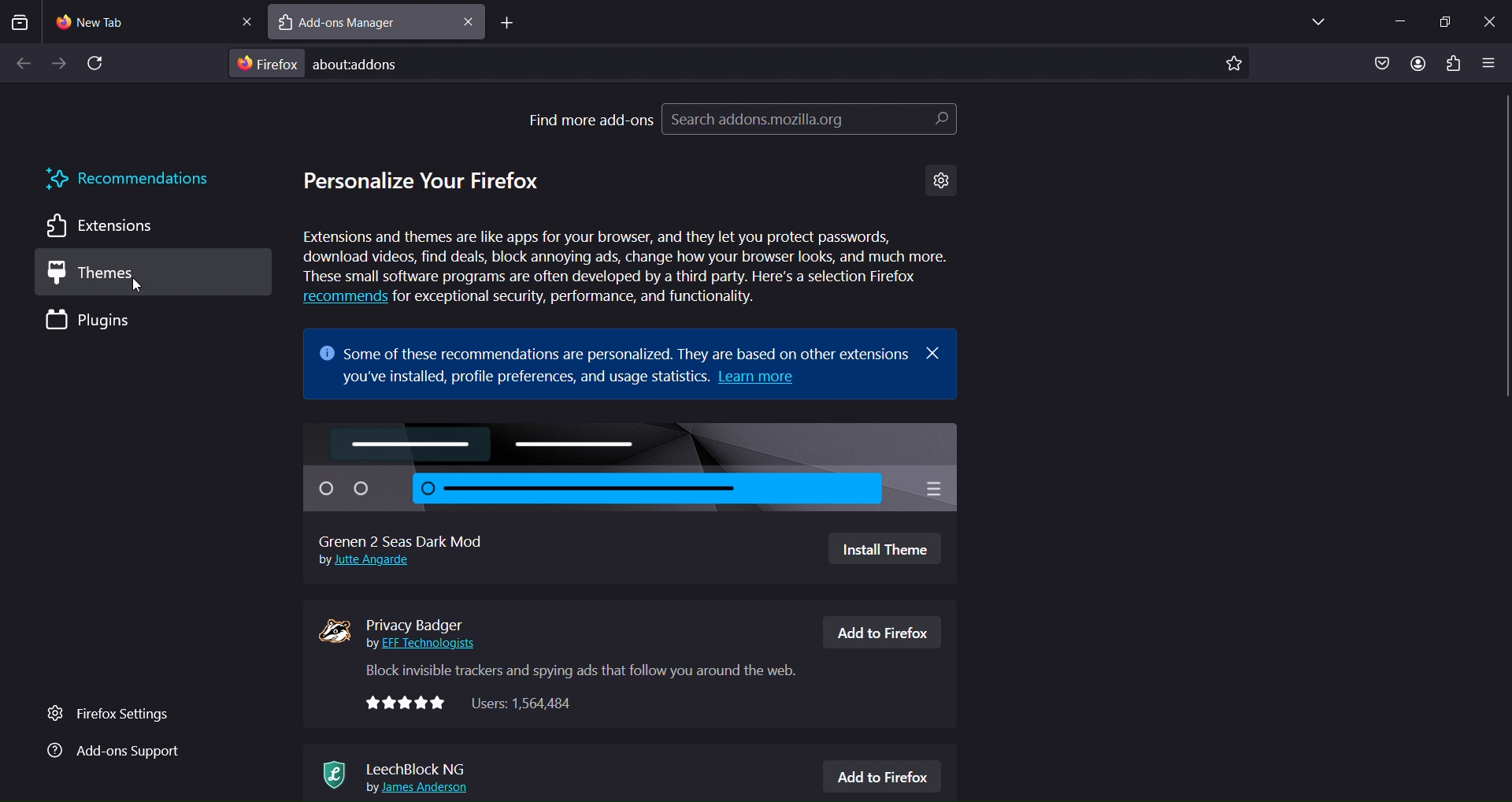 The height and width of the screenshot is (802, 1512). I want to click on current tab, so click(109, 22).